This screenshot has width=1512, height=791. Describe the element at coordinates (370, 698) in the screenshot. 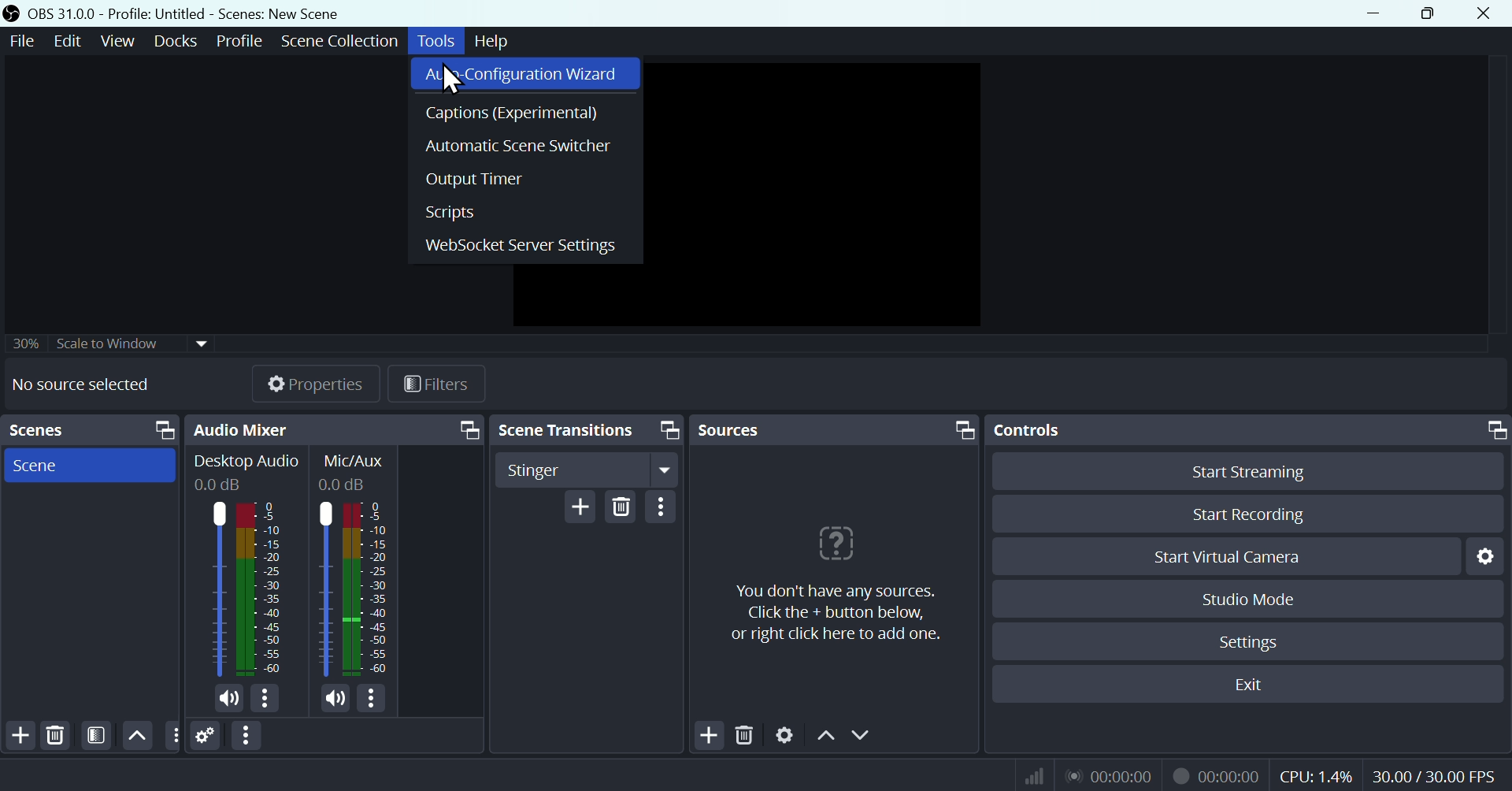

I see `options` at that location.